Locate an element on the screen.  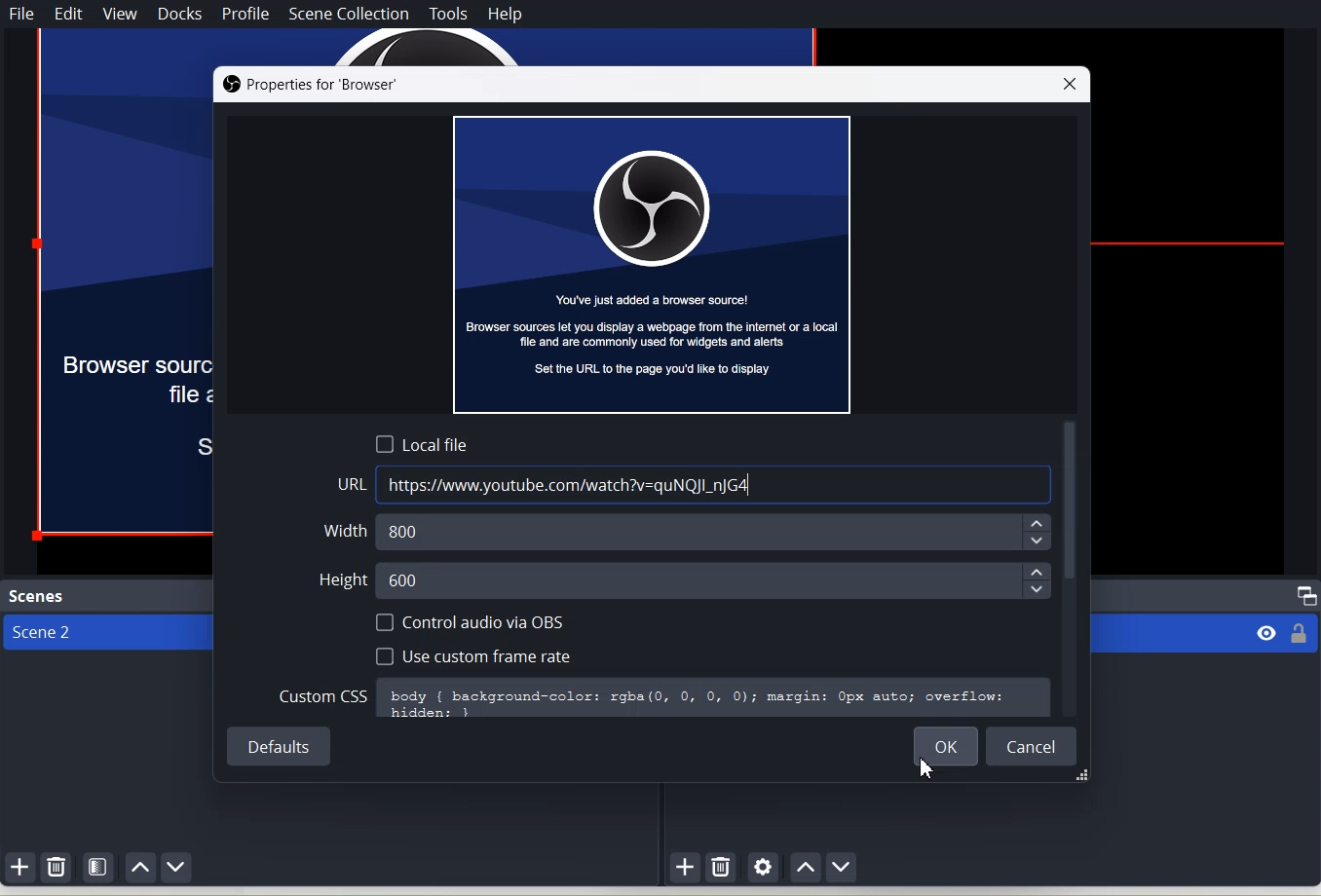
Edit is located at coordinates (70, 14).